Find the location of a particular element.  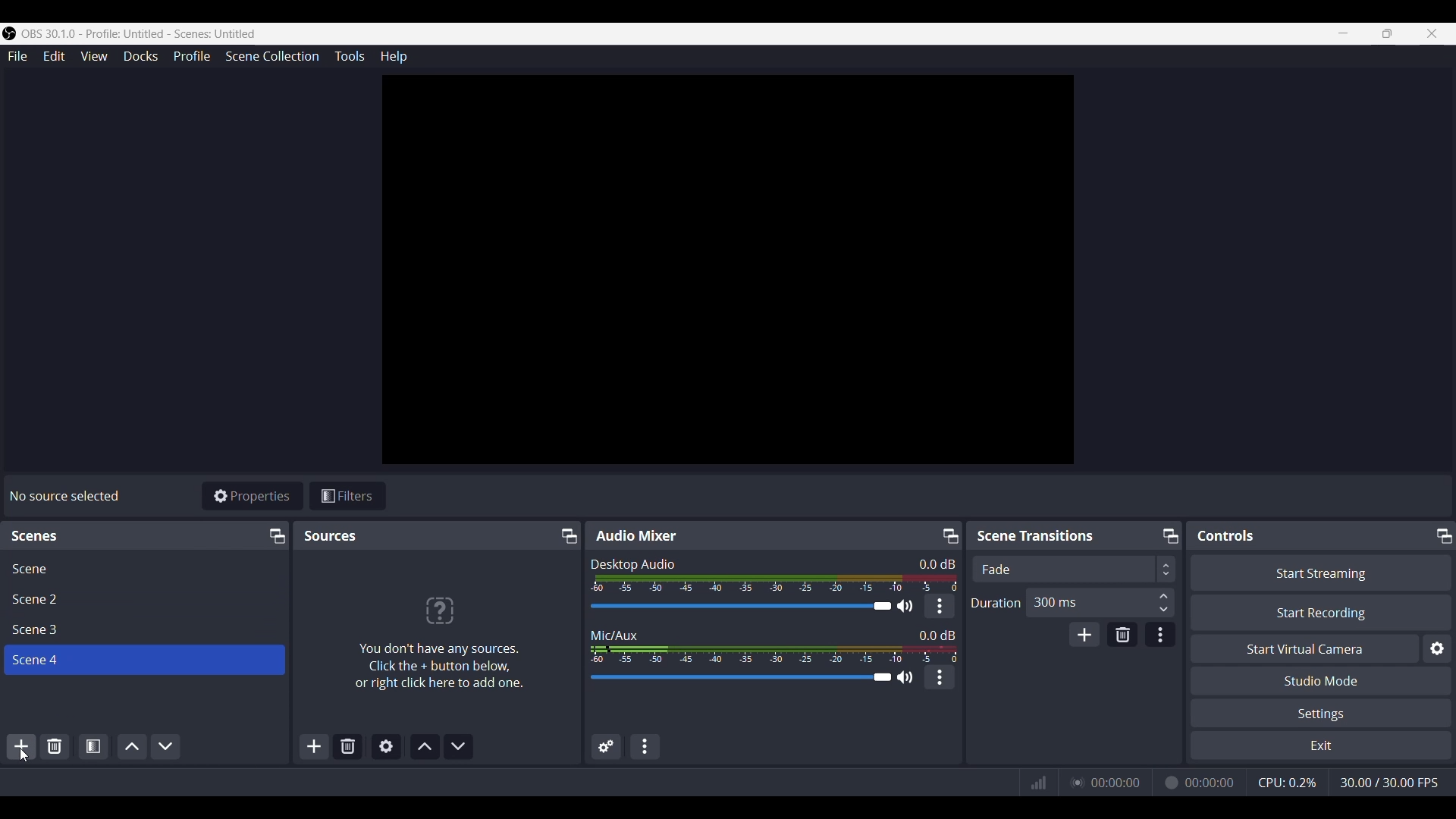

Scene Collection is located at coordinates (272, 57).